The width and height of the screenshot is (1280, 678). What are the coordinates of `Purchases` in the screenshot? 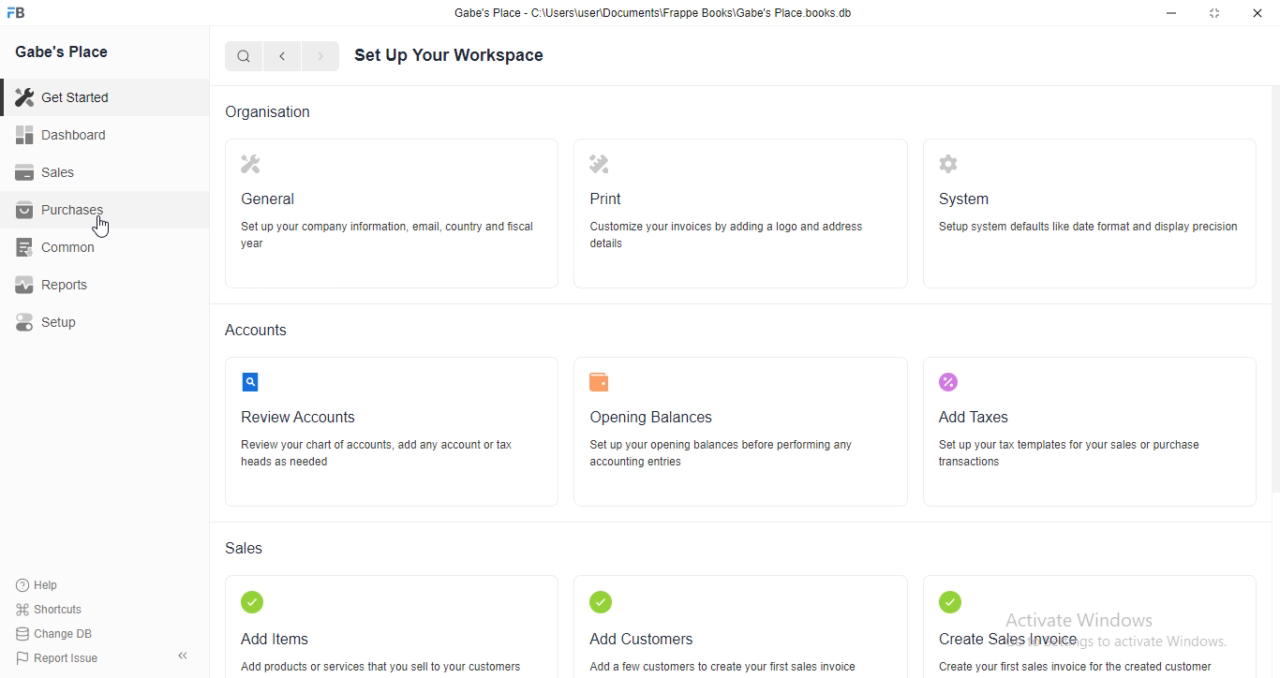 It's located at (57, 211).